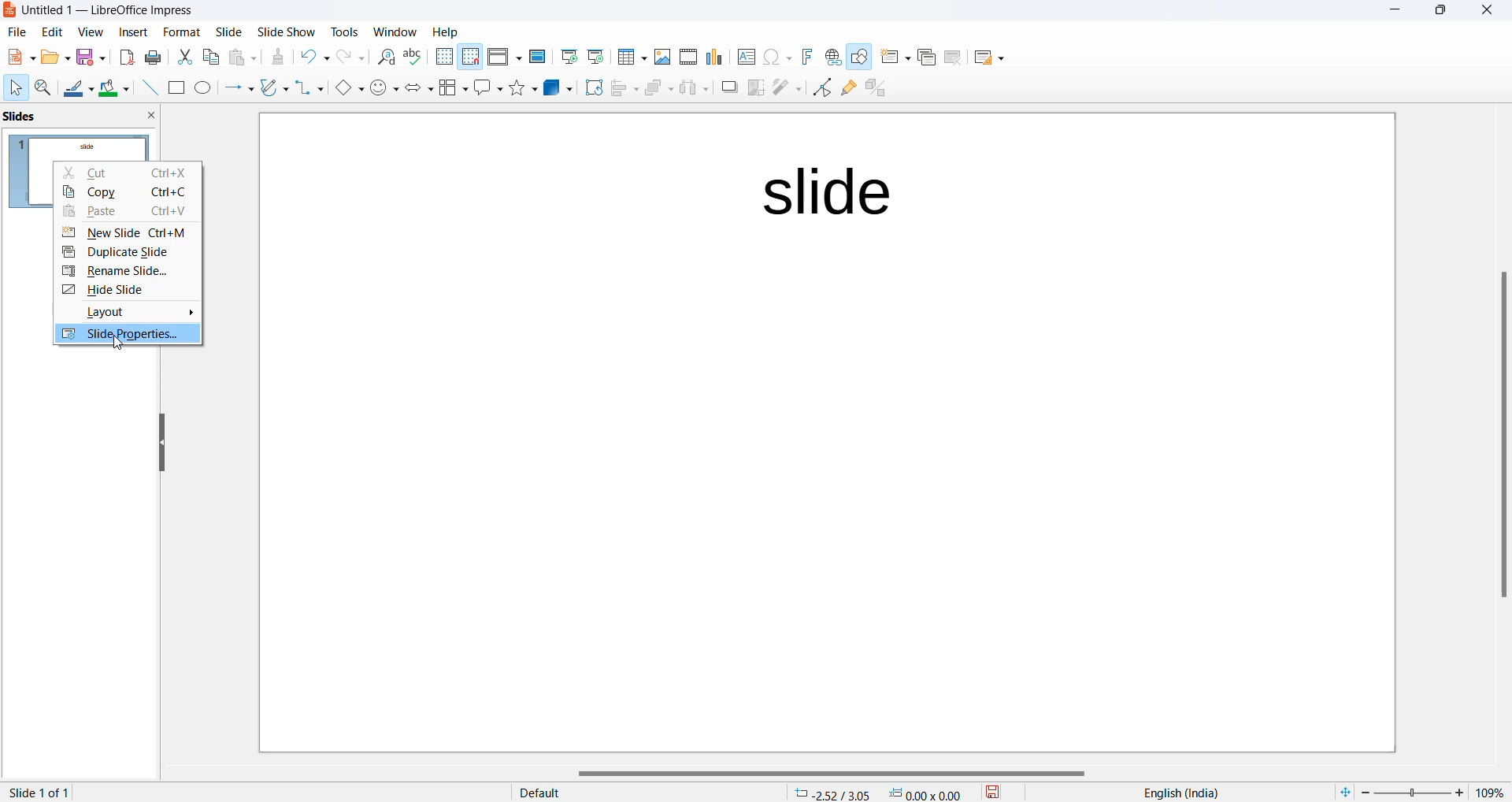  I want to click on file option, so click(56, 58).